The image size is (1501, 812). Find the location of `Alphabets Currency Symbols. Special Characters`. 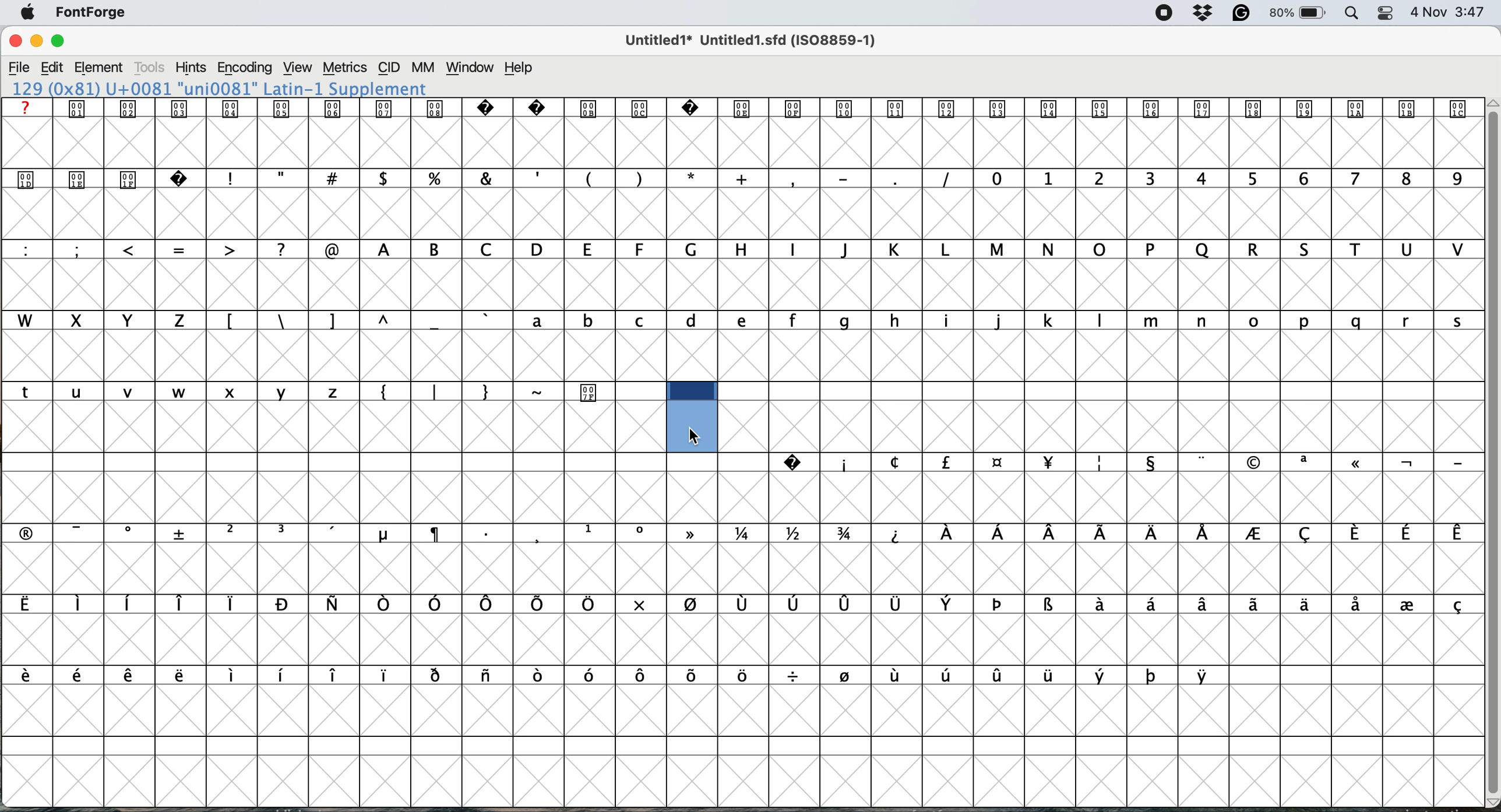

Alphabets Currency Symbols. Special Characters is located at coordinates (310, 392).